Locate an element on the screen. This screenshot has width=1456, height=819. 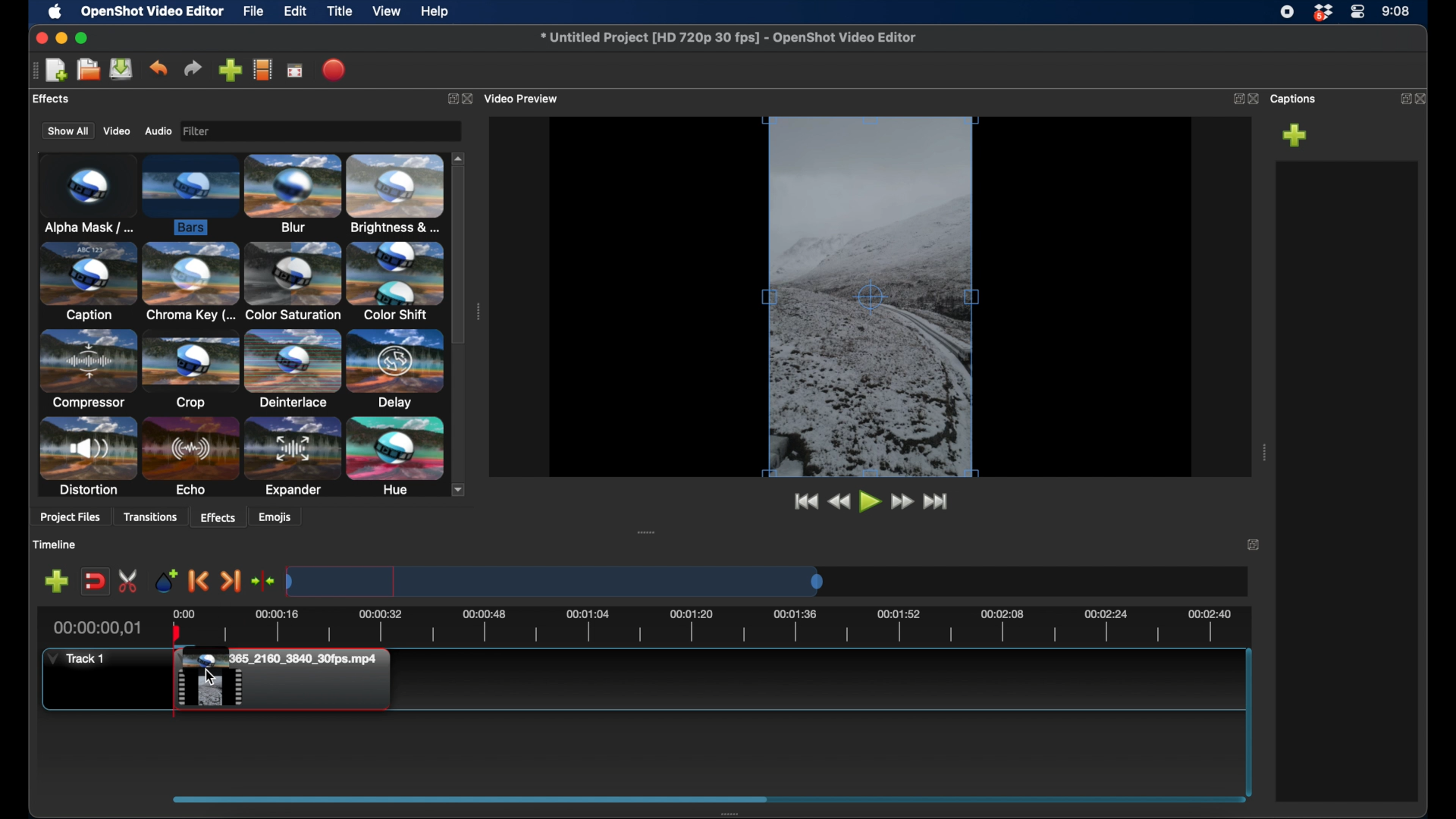
filename is located at coordinates (727, 37).